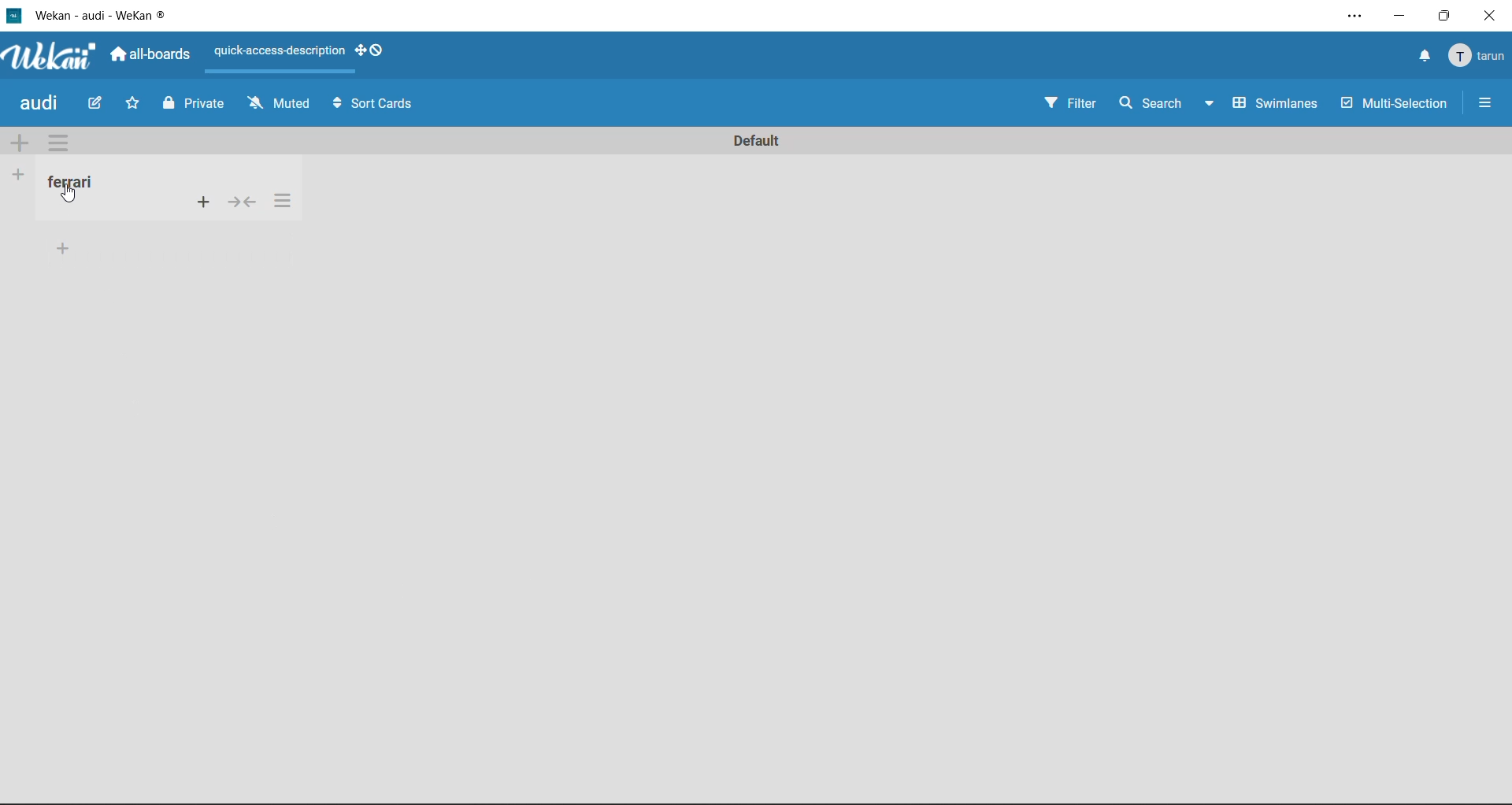  What do you see at coordinates (244, 202) in the screenshot?
I see `collpase` at bounding box center [244, 202].